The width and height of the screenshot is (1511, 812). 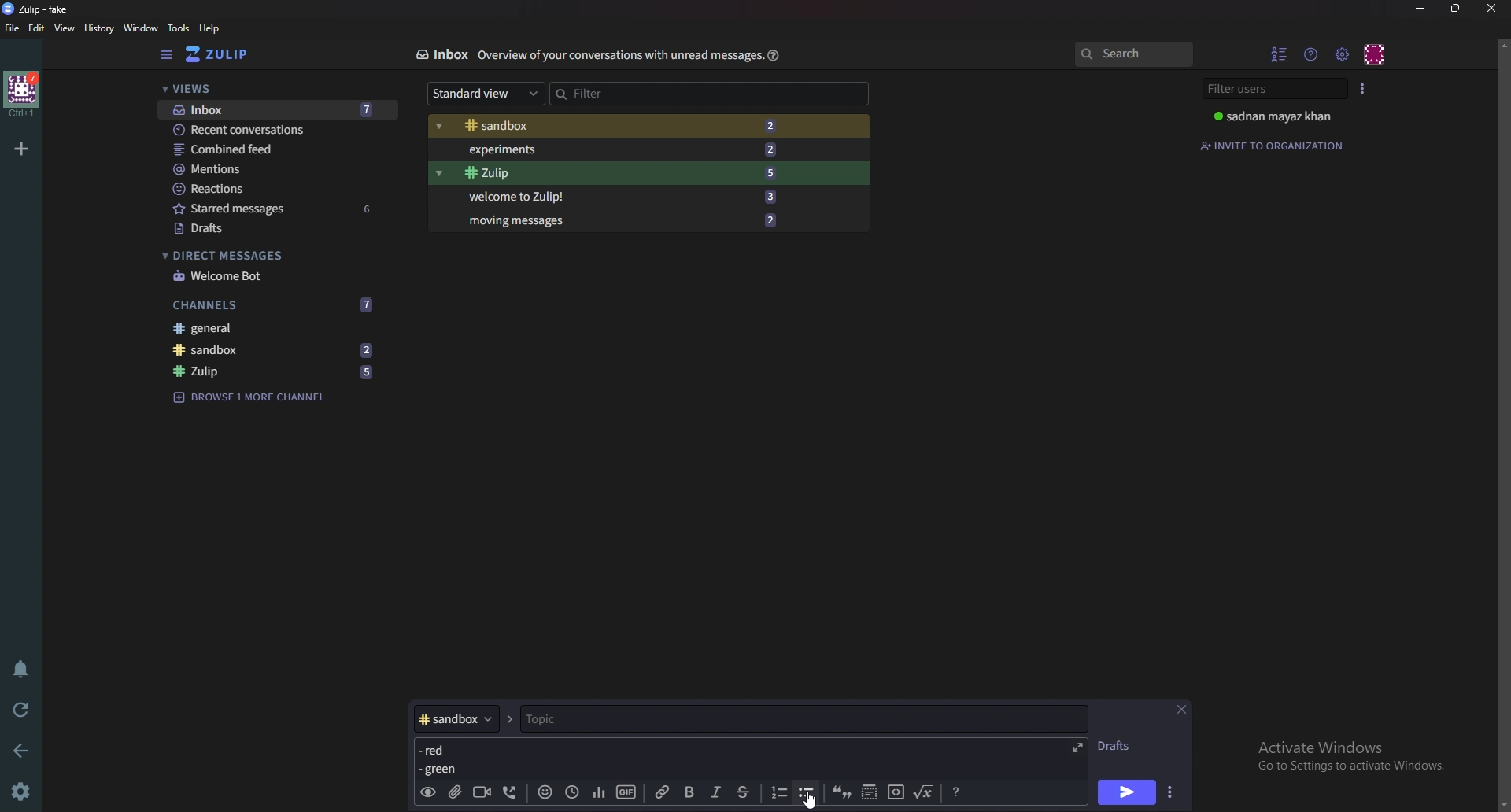 I want to click on Home view, so click(x=228, y=54).